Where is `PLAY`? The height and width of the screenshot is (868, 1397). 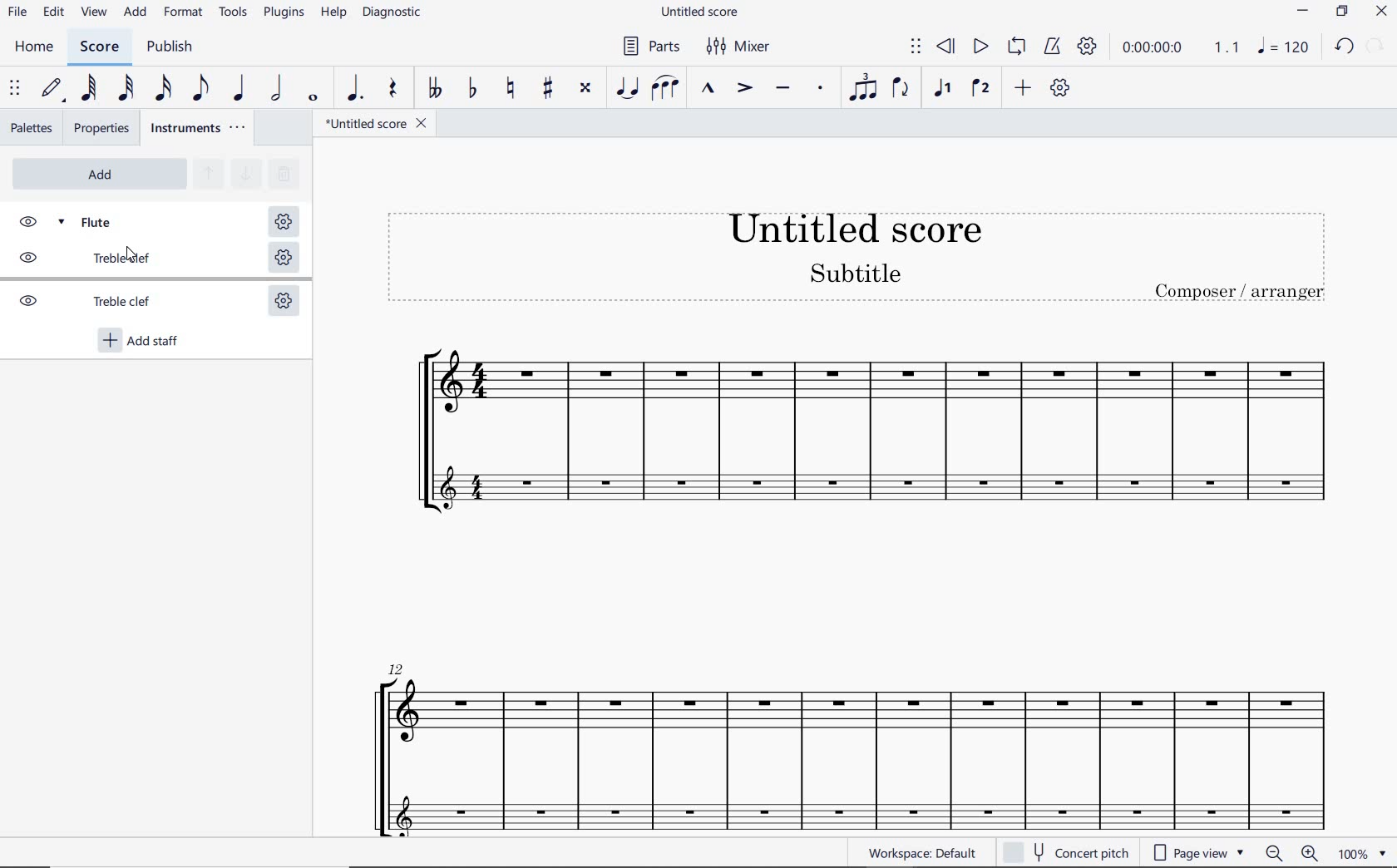 PLAY is located at coordinates (980, 47).